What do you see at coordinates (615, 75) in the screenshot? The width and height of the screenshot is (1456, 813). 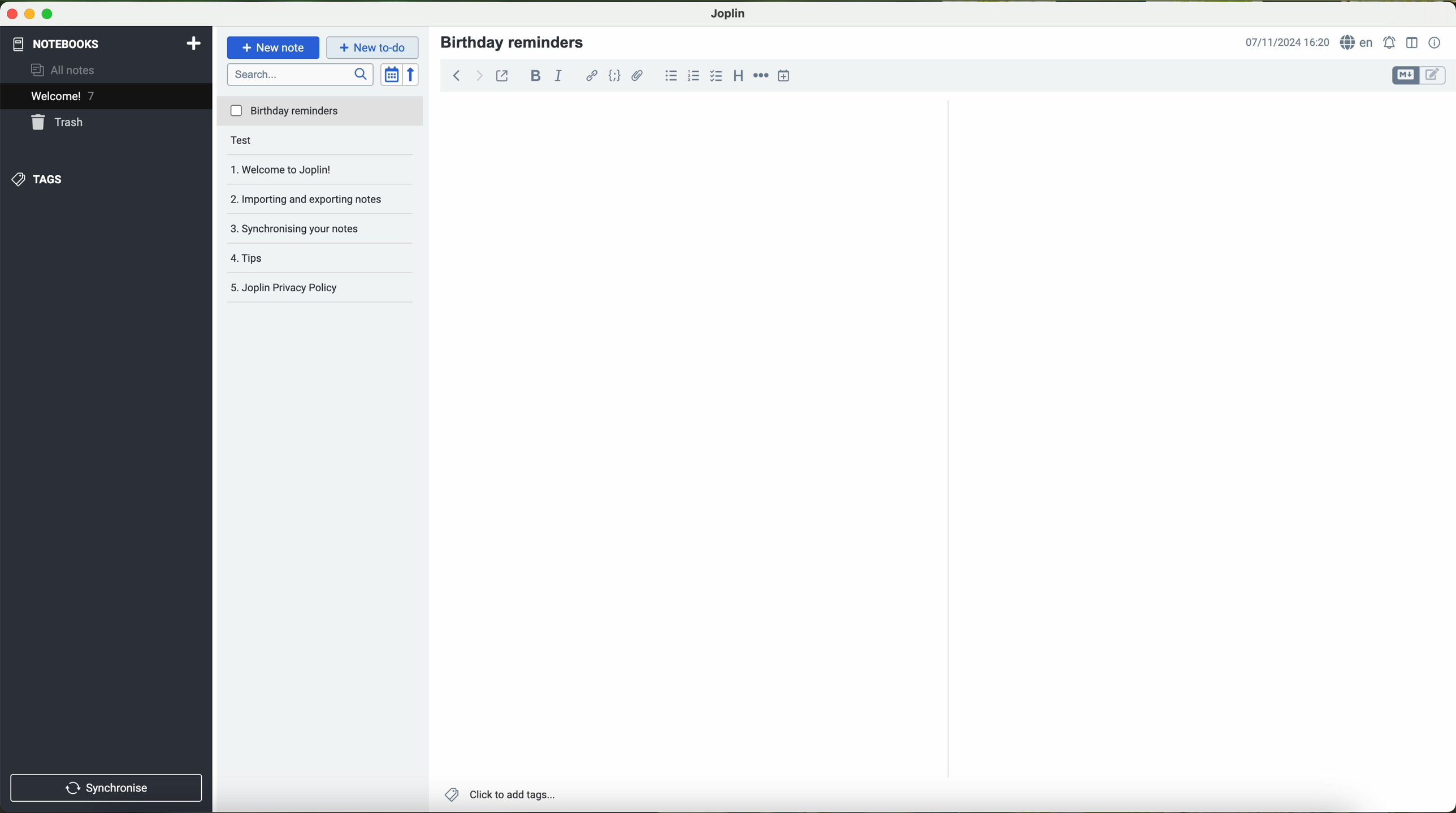 I see `code` at bounding box center [615, 75].